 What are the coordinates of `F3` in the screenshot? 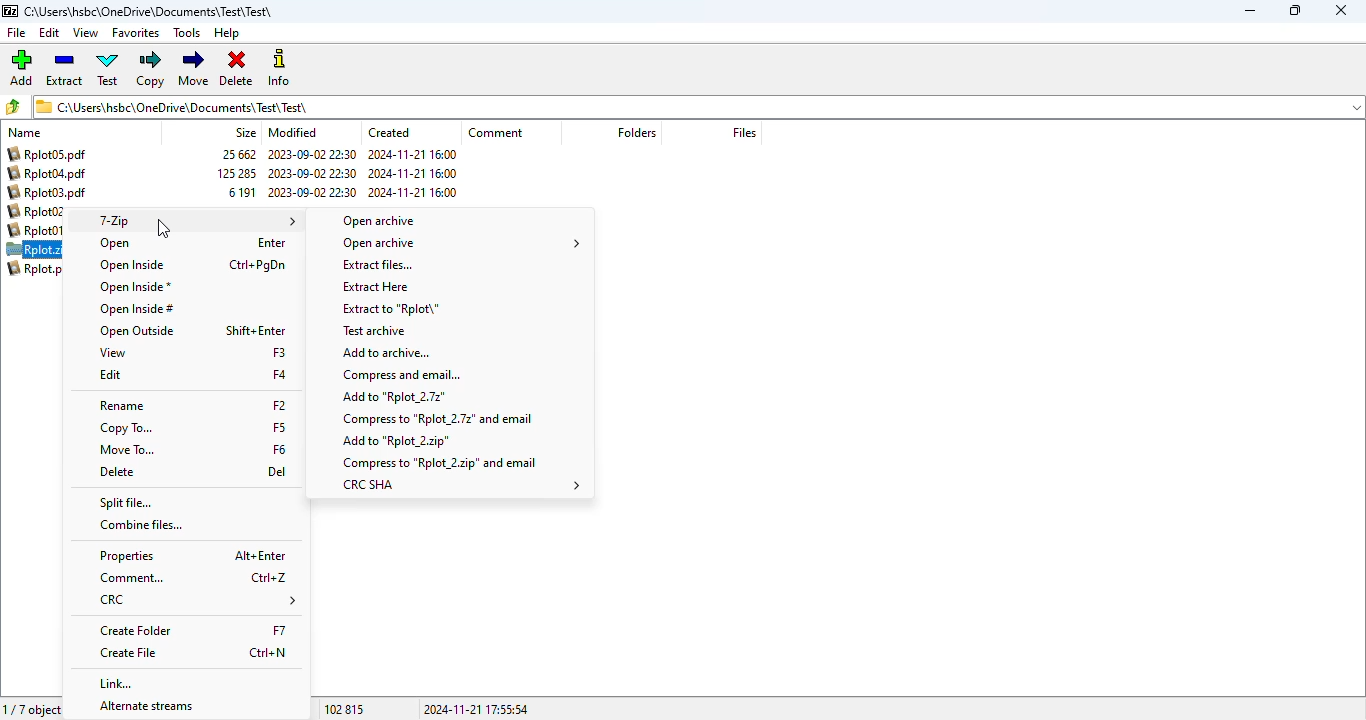 It's located at (279, 351).